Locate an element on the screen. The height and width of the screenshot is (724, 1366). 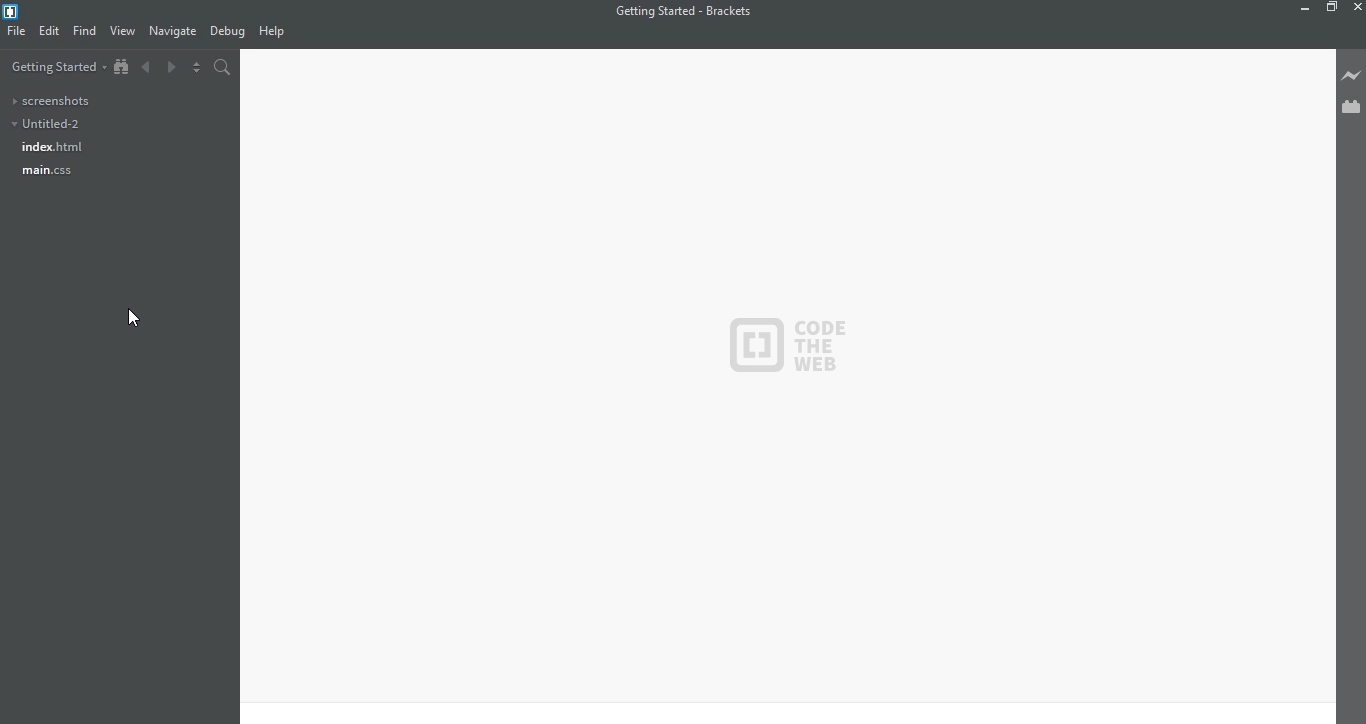
file is located at coordinates (17, 32).